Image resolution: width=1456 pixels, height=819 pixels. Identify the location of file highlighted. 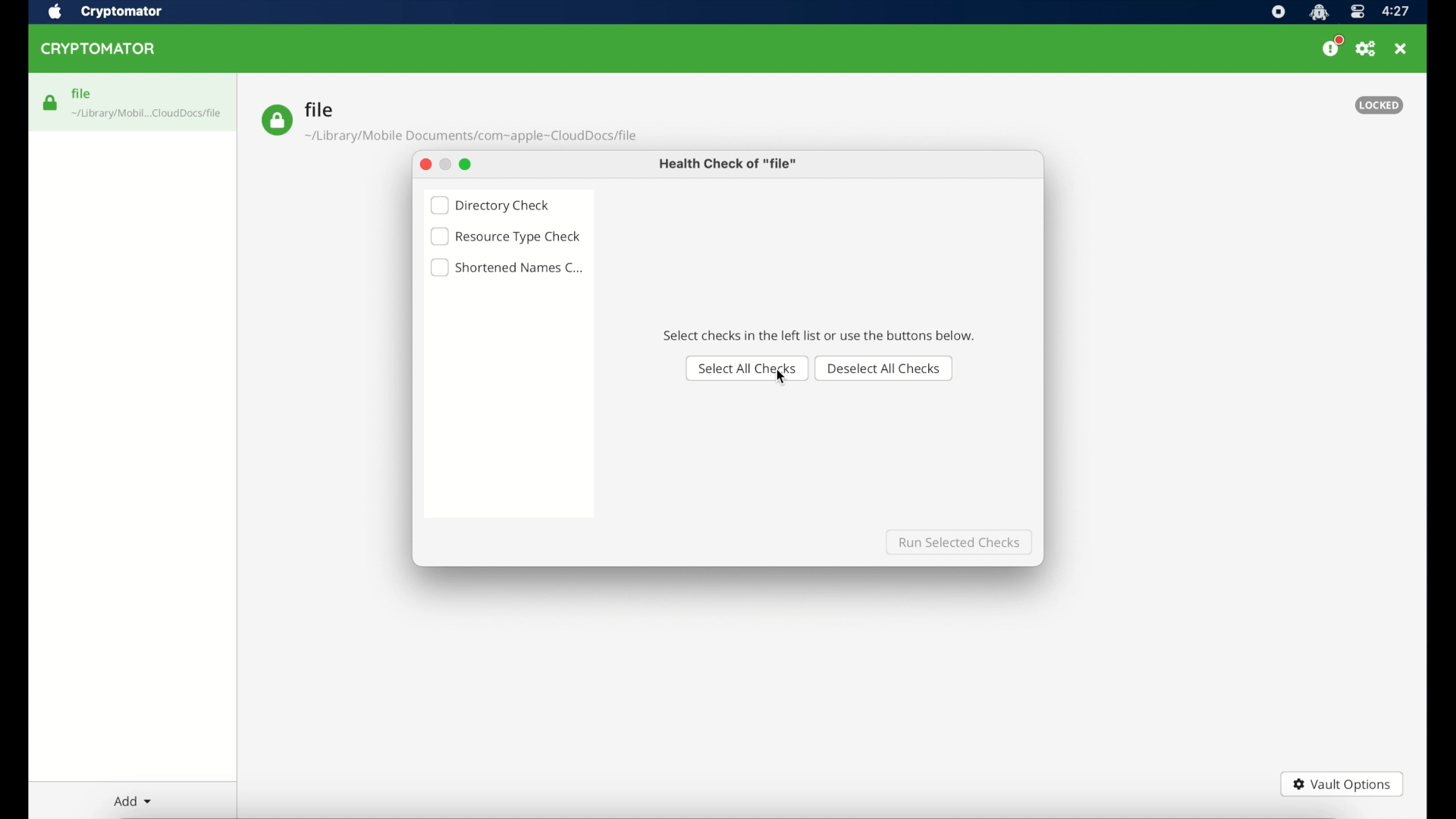
(133, 102).